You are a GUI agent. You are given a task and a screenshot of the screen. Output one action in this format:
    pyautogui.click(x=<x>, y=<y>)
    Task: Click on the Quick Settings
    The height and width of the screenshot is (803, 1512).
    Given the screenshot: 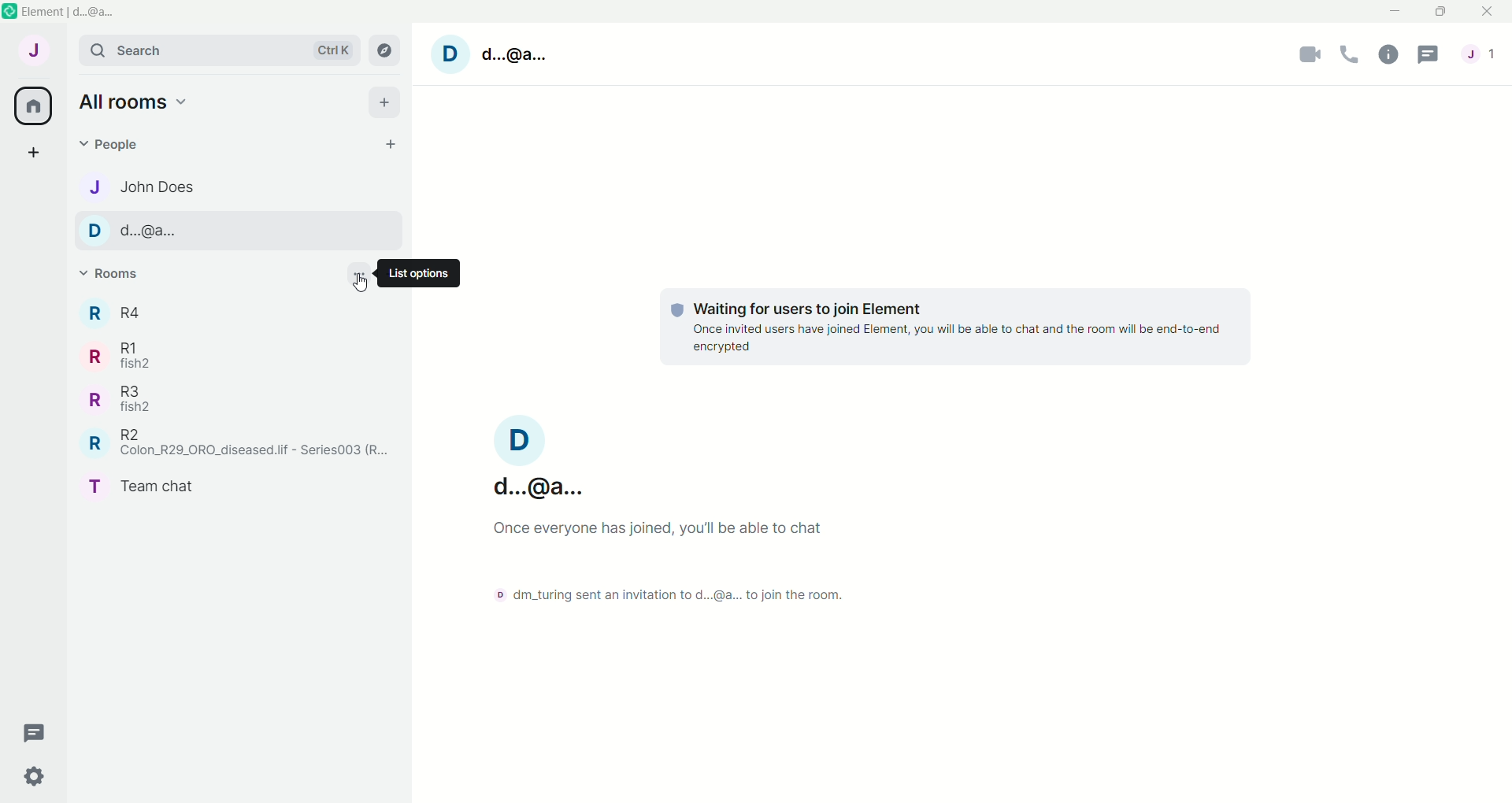 What is the action you would take?
    pyautogui.click(x=35, y=778)
    